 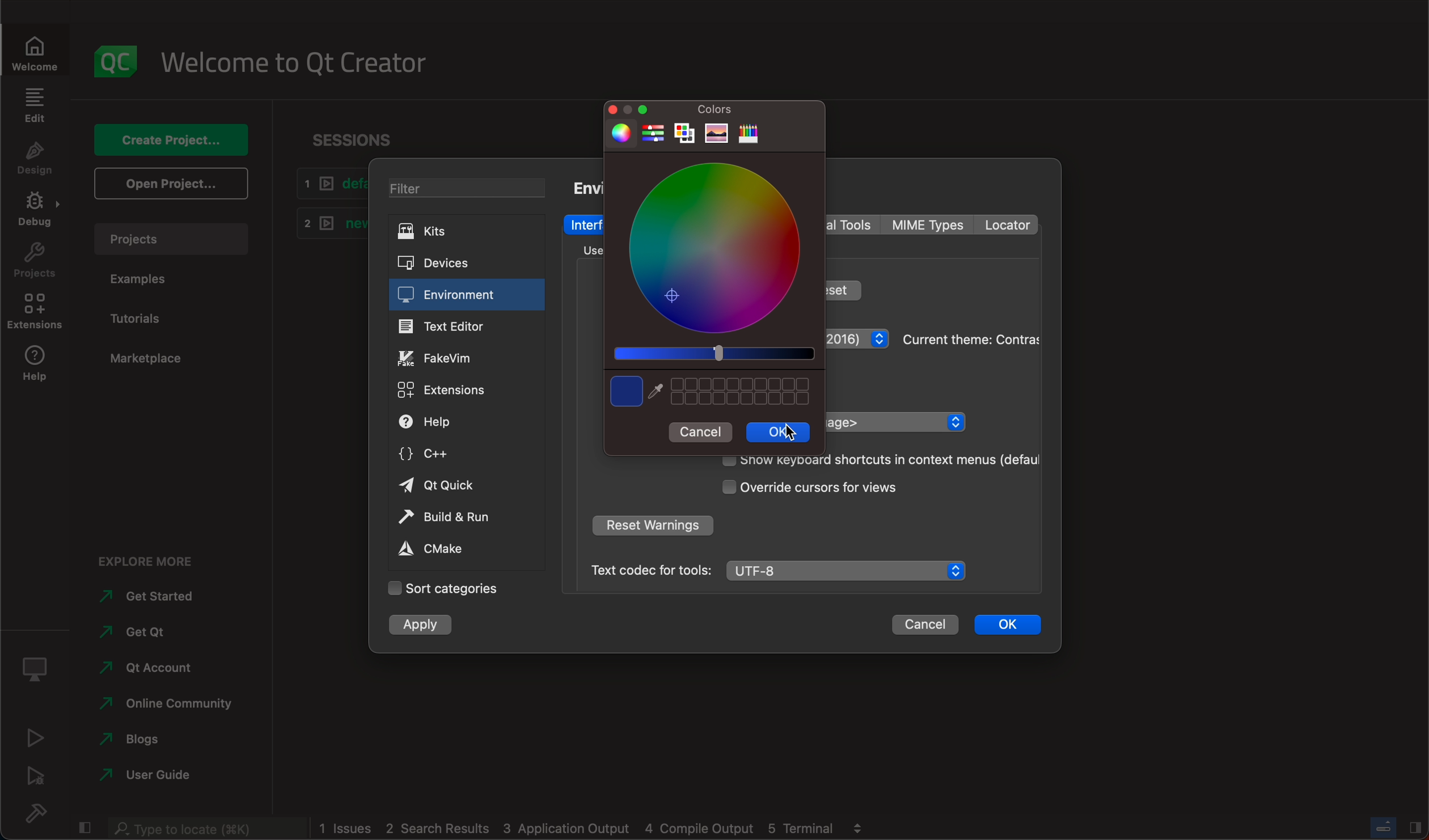 I want to click on show keyboard, so click(x=874, y=460).